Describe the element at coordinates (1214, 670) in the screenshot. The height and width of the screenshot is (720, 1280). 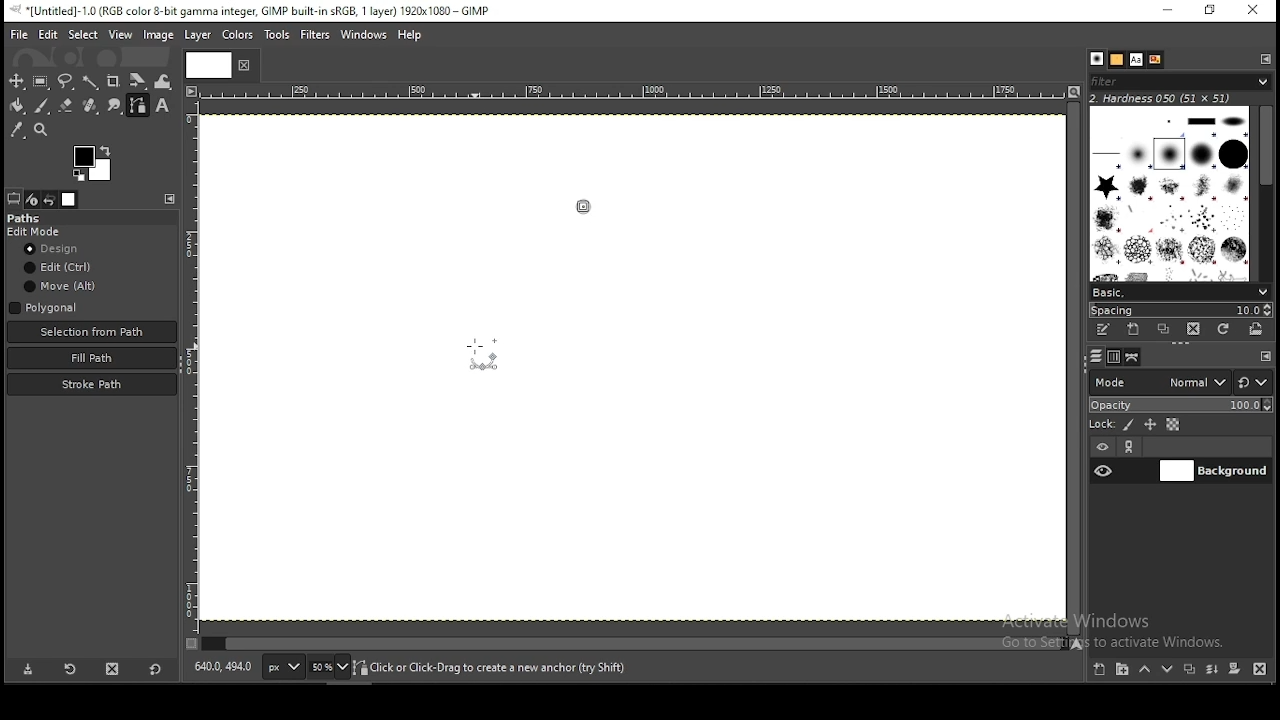
I see `merge layer` at that location.